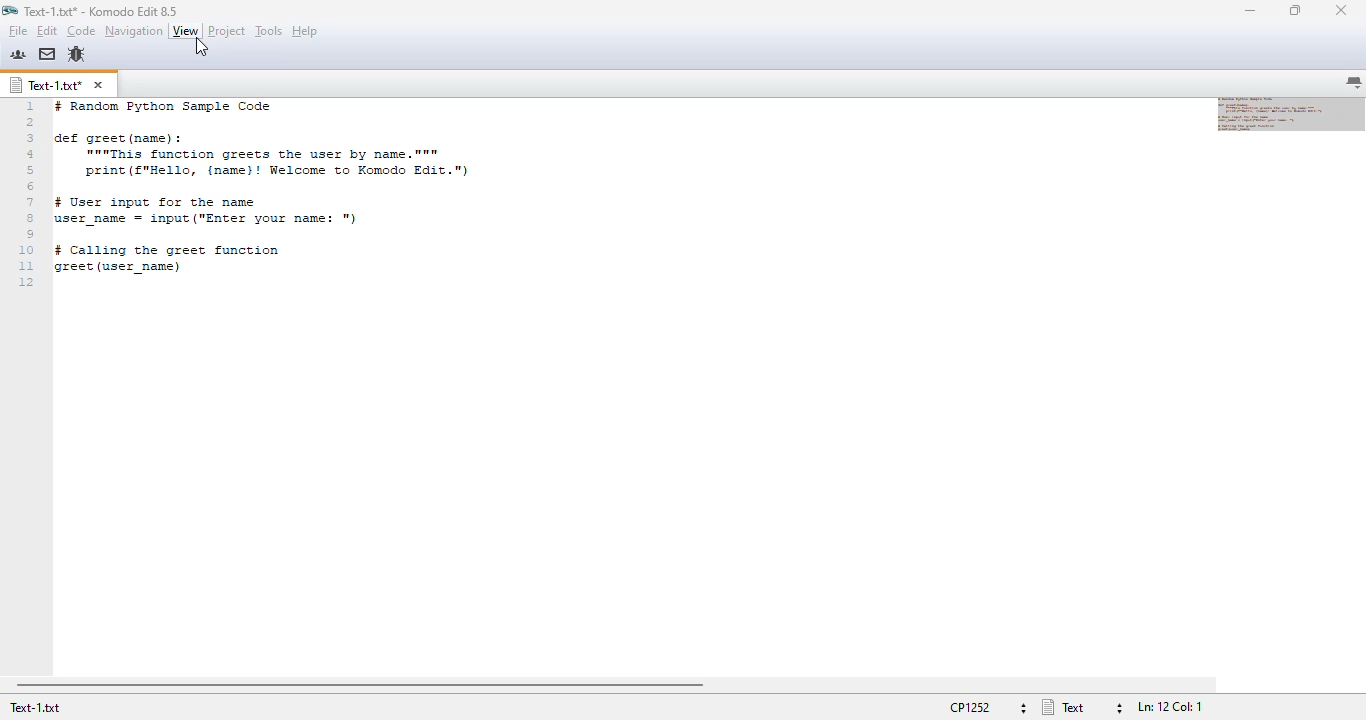  What do you see at coordinates (1291, 113) in the screenshot?
I see `minimap` at bounding box center [1291, 113].